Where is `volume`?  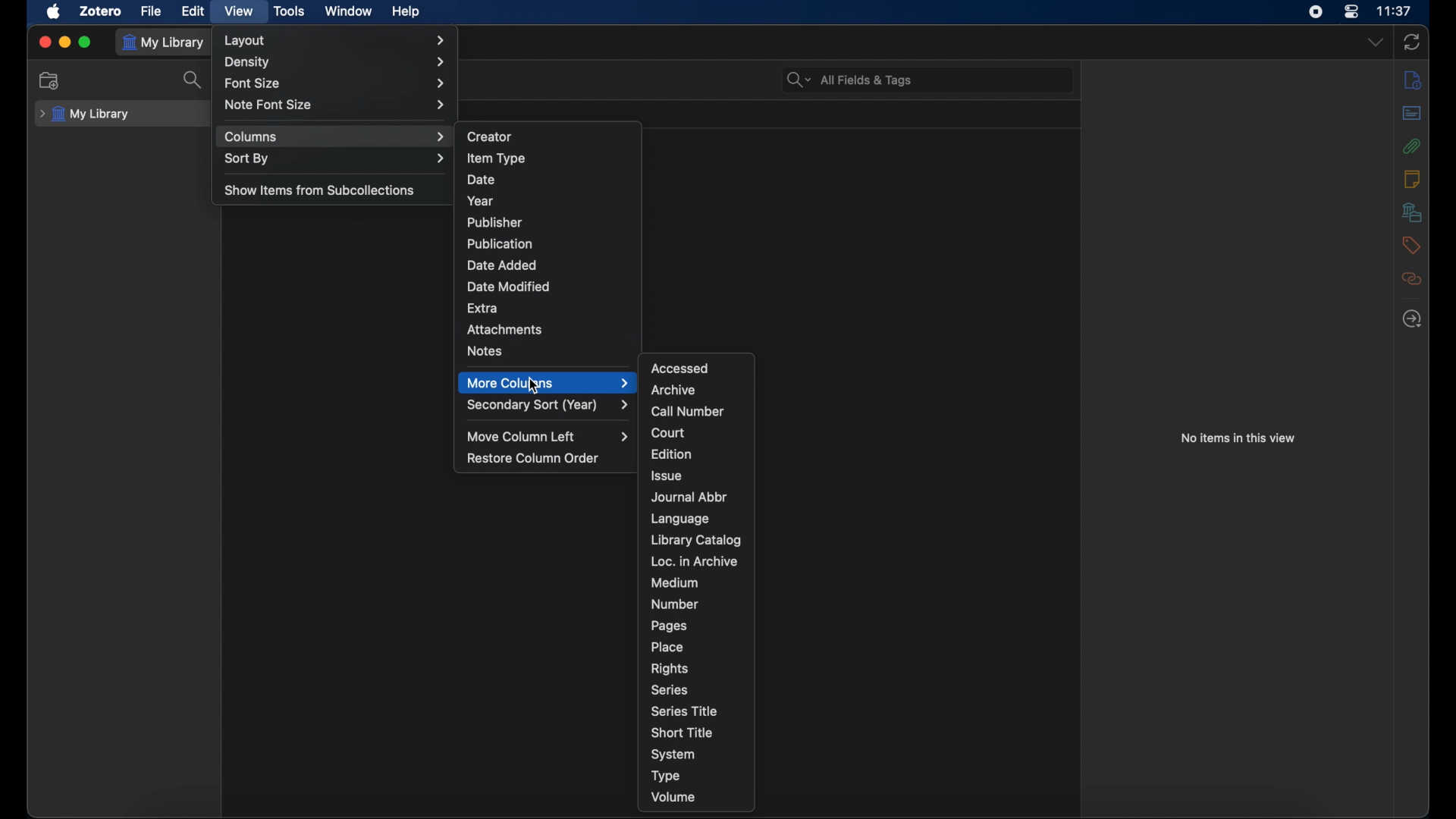 volume is located at coordinates (674, 798).